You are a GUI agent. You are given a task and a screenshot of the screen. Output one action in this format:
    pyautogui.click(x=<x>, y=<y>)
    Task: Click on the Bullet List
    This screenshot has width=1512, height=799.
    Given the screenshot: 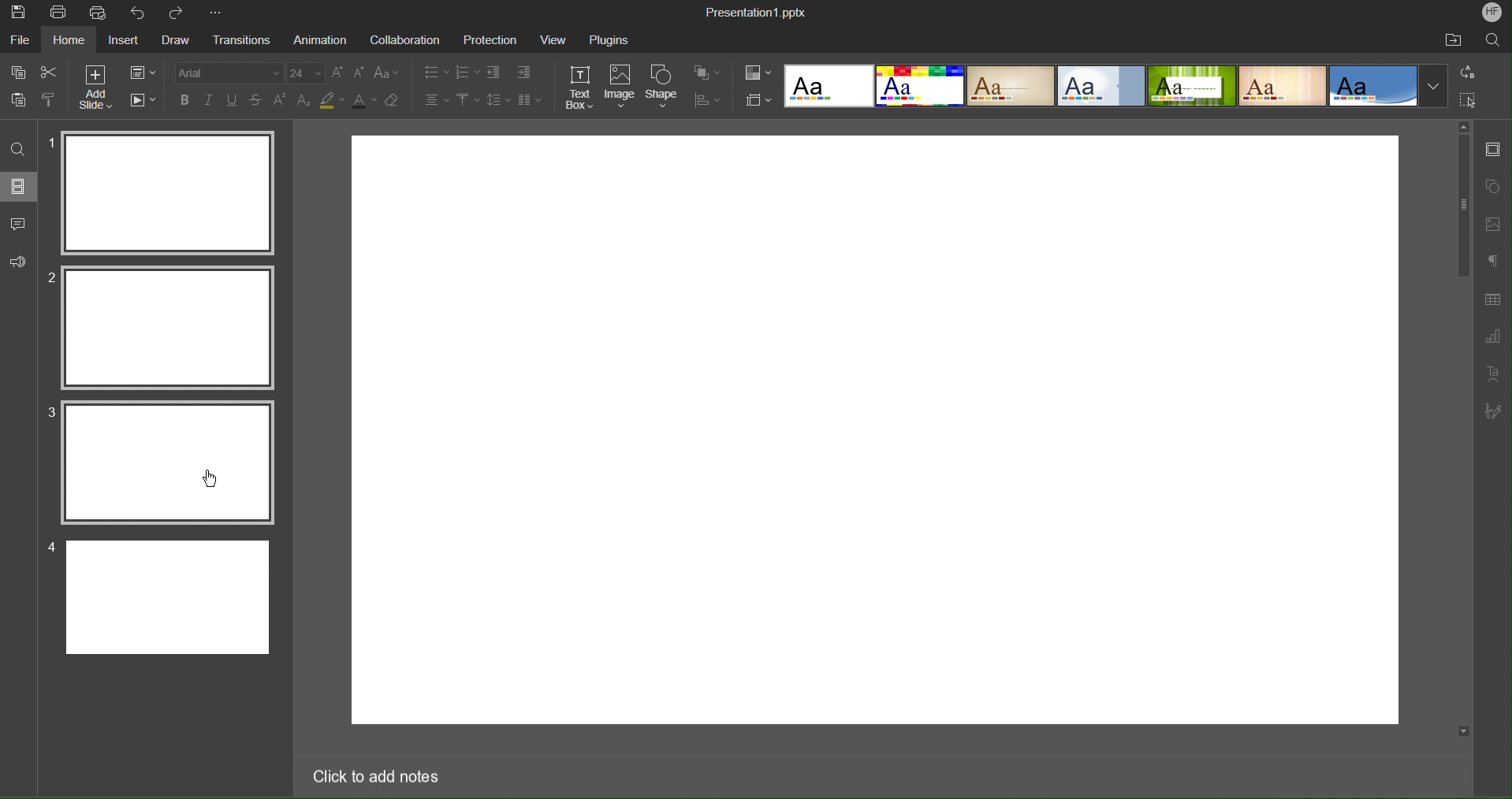 What is the action you would take?
    pyautogui.click(x=437, y=71)
    